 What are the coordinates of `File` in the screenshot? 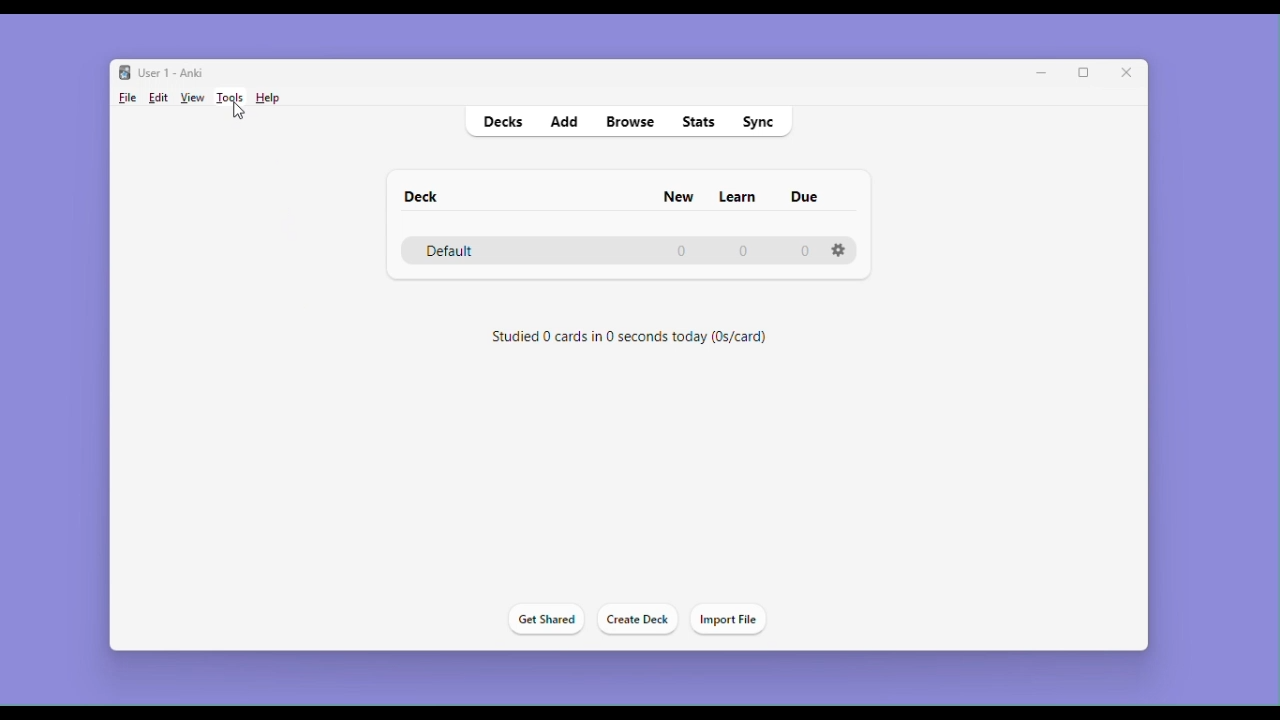 It's located at (128, 98).